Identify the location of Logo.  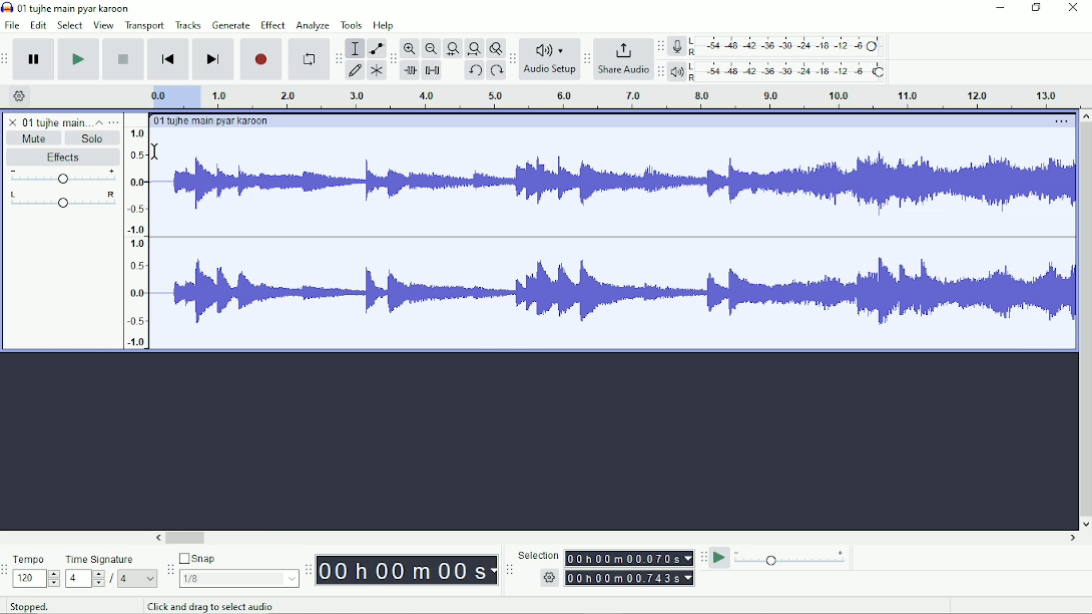
(7, 7).